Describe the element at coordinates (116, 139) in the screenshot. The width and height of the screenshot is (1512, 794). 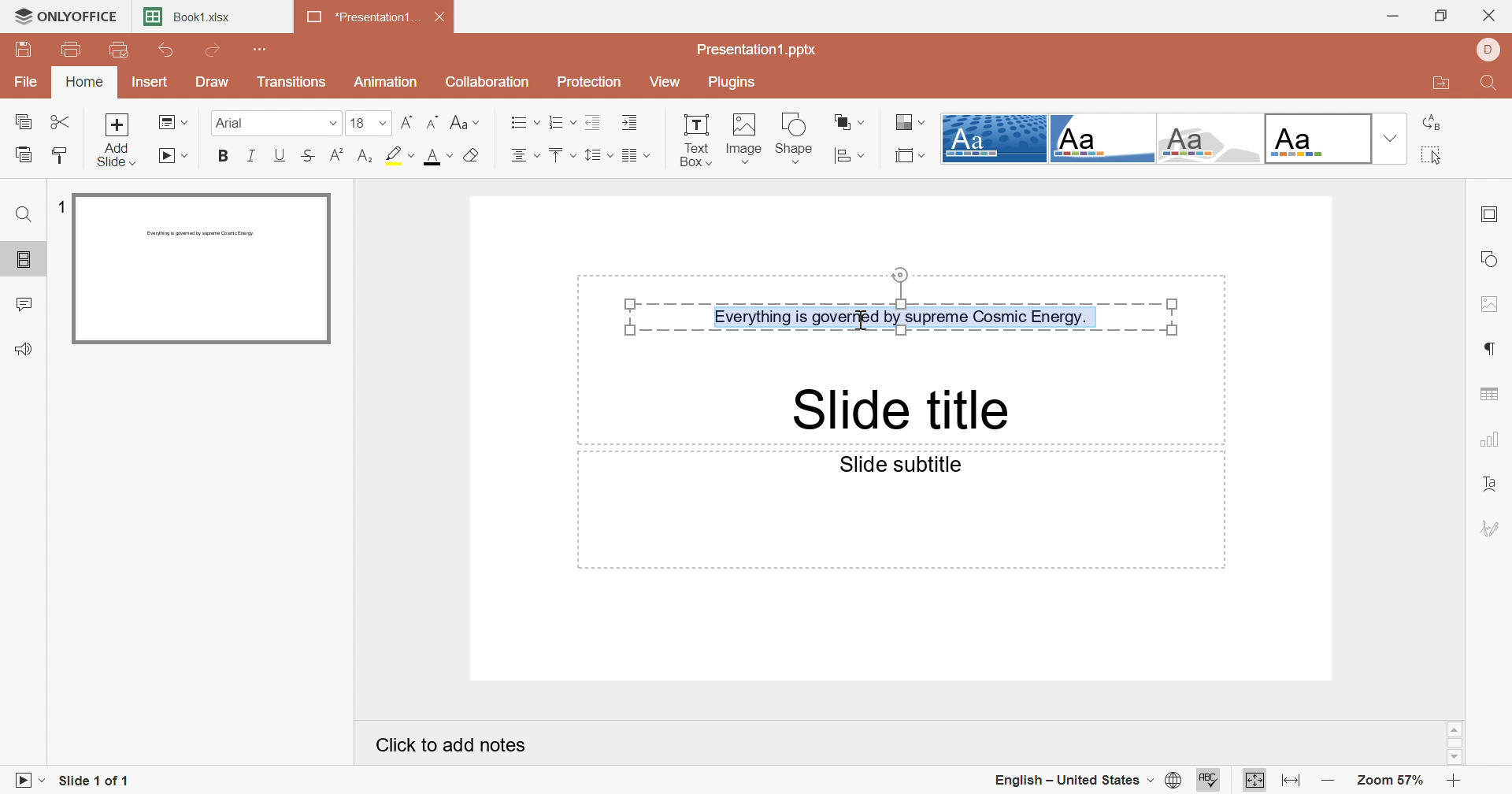
I see `Add slide` at that location.